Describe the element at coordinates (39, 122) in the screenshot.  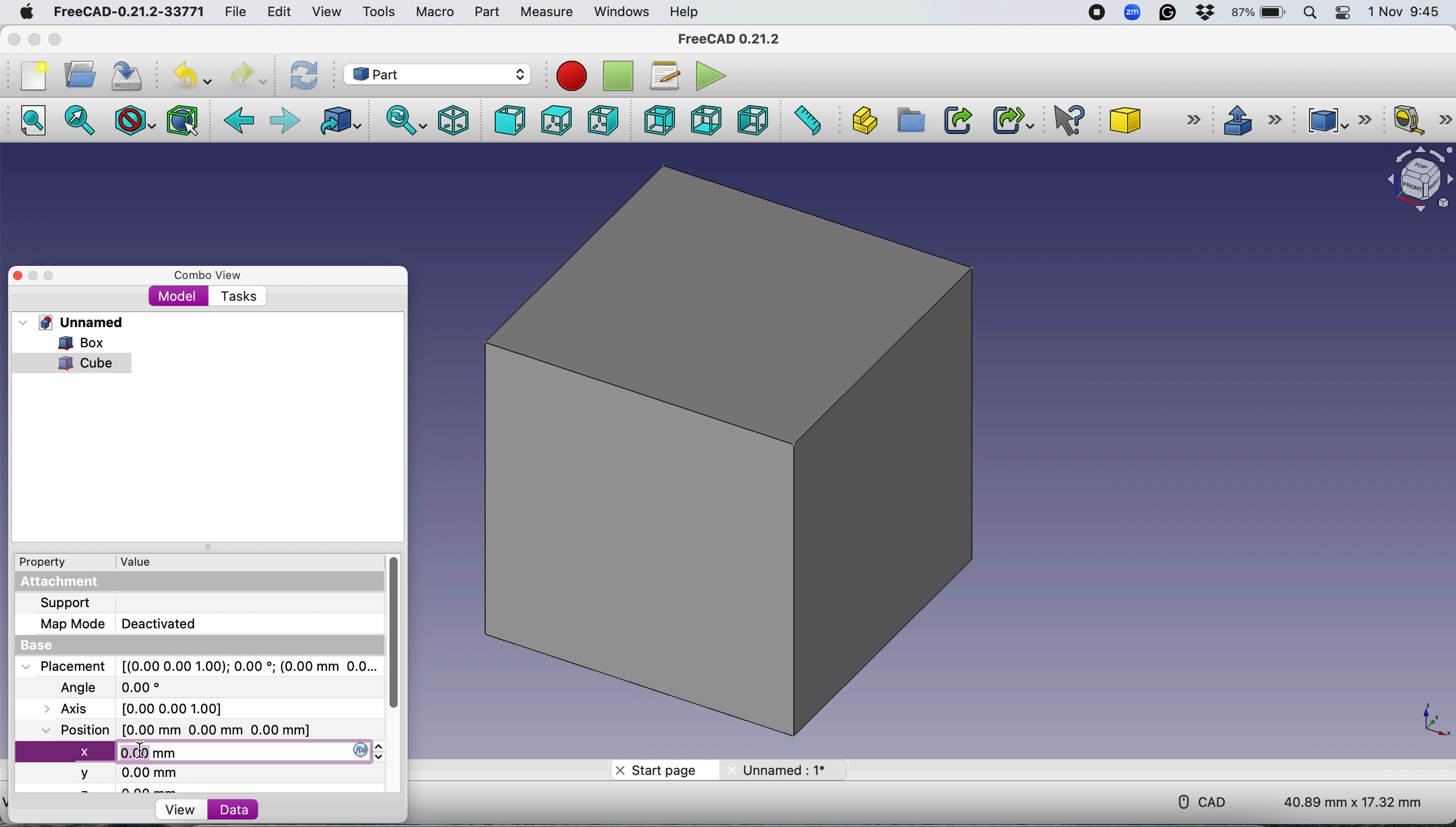
I see `Fit all` at that location.